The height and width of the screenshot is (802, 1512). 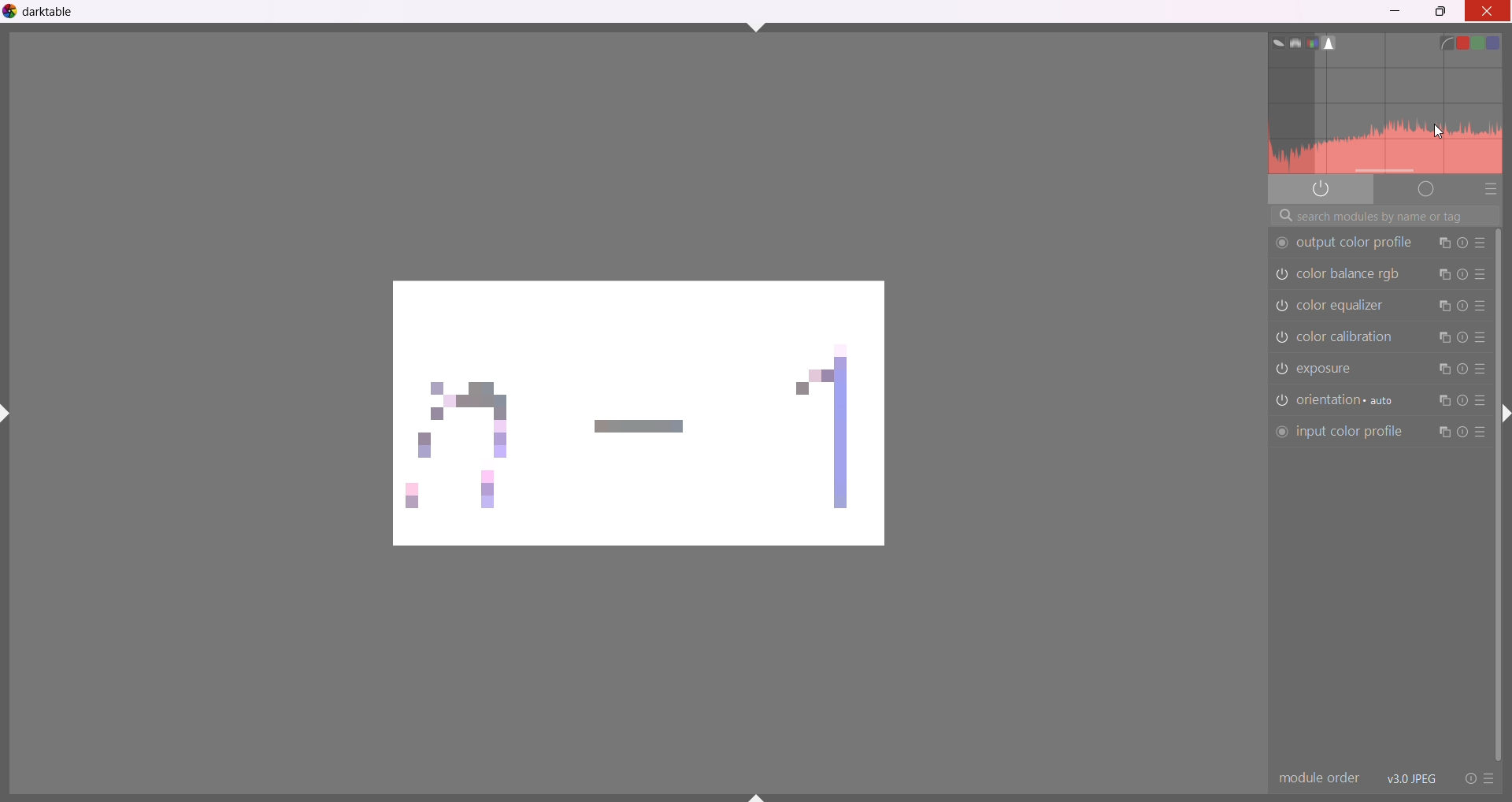 What do you see at coordinates (1442, 13) in the screenshot?
I see `maximize` at bounding box center [1442, 13].